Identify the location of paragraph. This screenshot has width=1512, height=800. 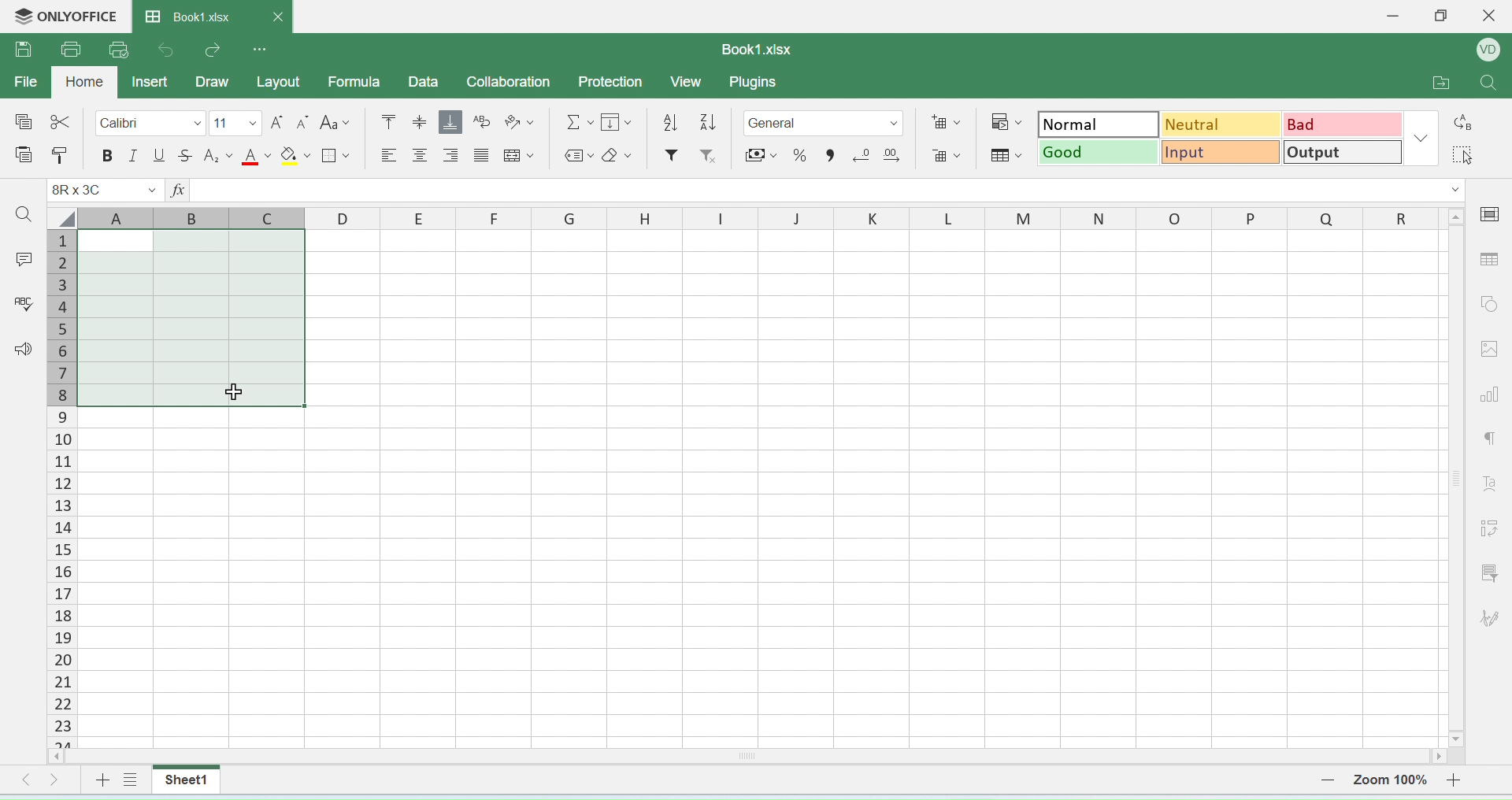
(1492, 437).